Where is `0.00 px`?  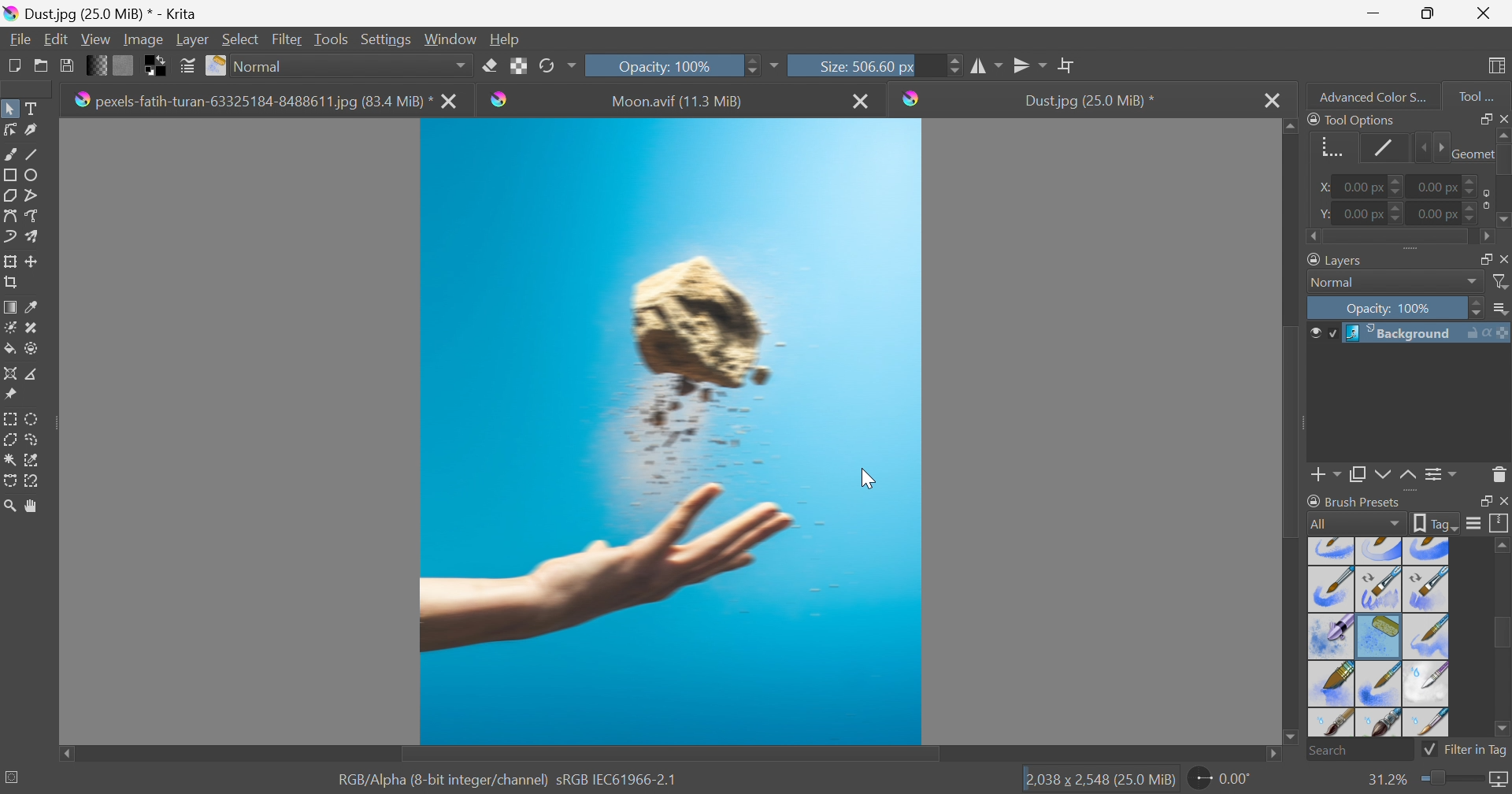
0.00 px is located at coordinates (1439, 185).